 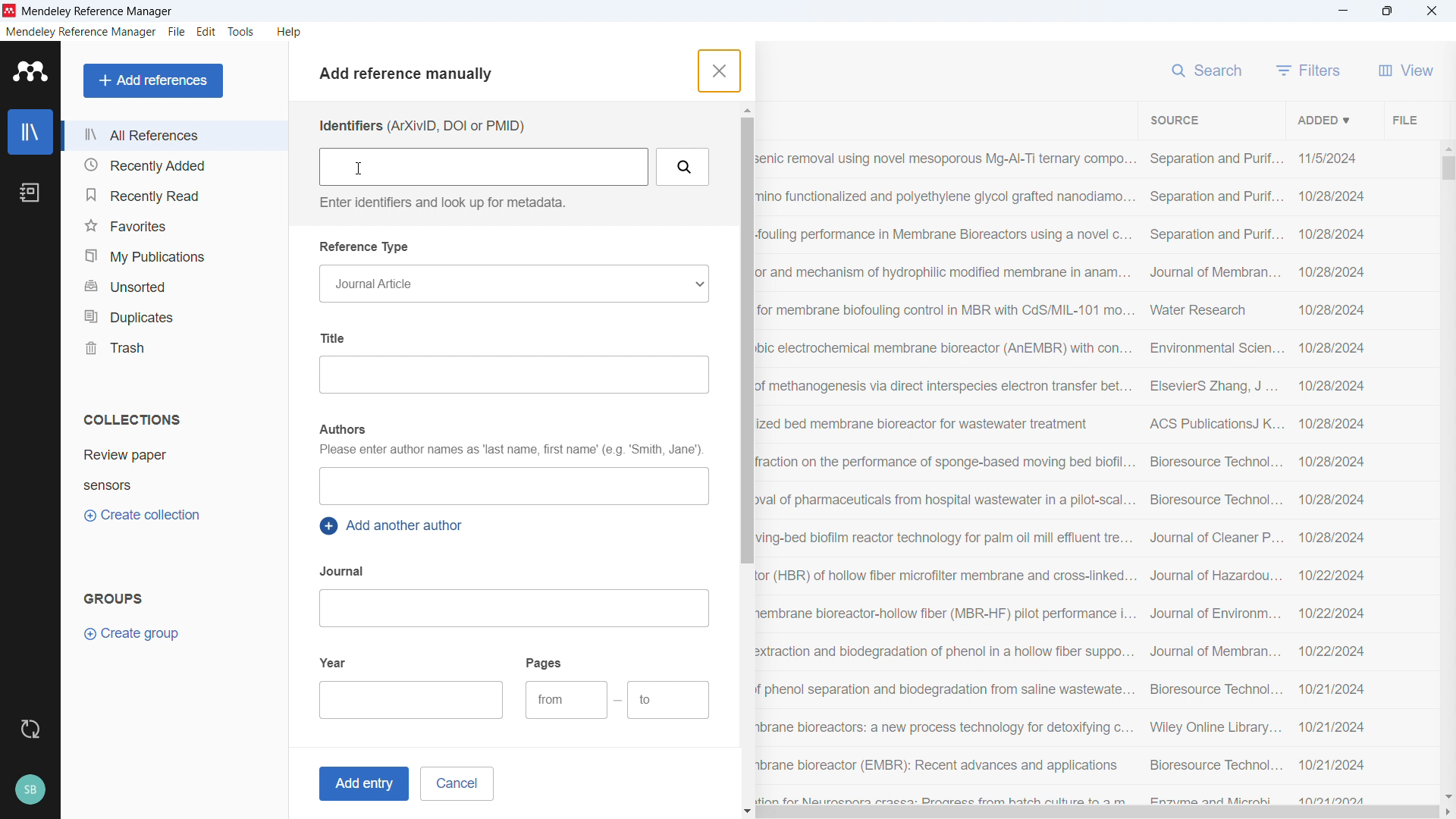 I want to click on Ending page , so click(x=669, y=701).